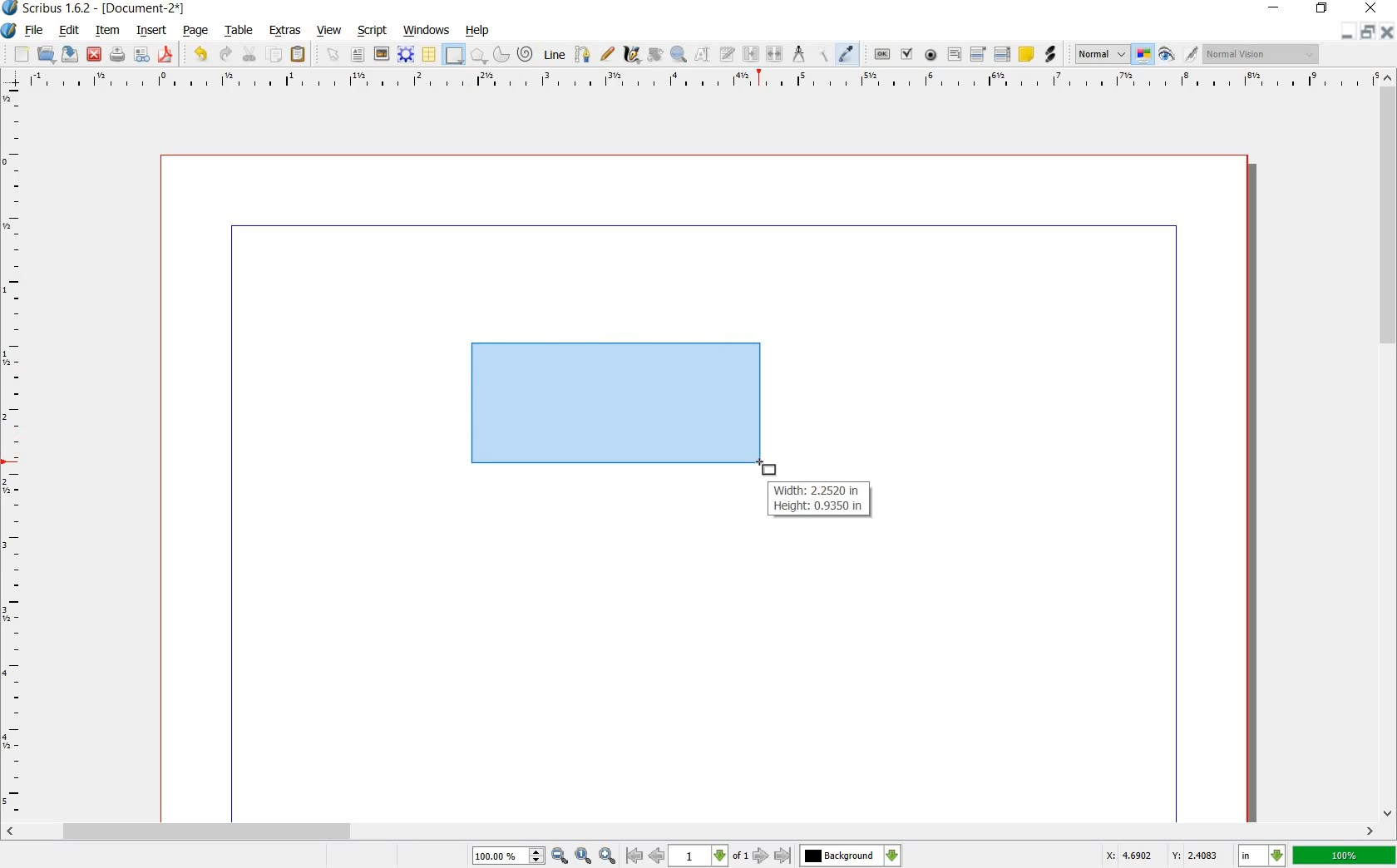 The image size is (1397, 868). Describe the element at coordinates (798, 54) in the screenshot. I see `MEASUREMENTS` at that location.